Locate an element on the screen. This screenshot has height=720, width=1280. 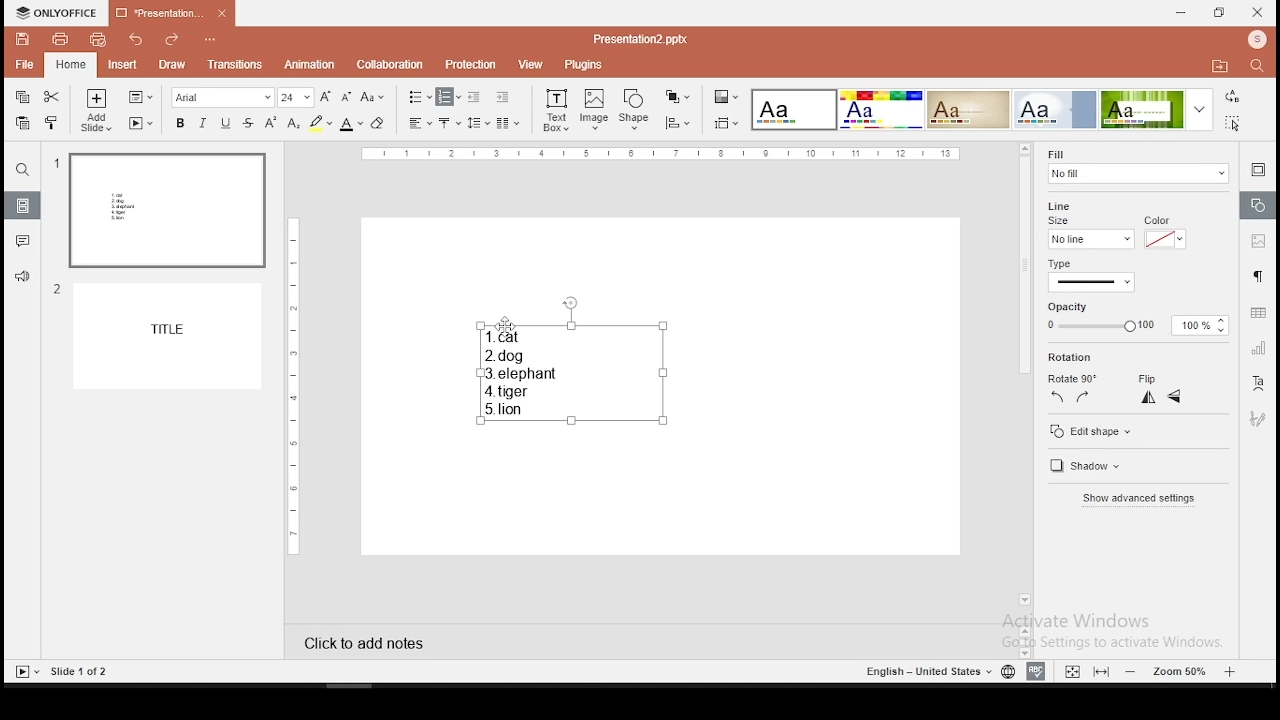
scale is located at coordinates (291, 384).